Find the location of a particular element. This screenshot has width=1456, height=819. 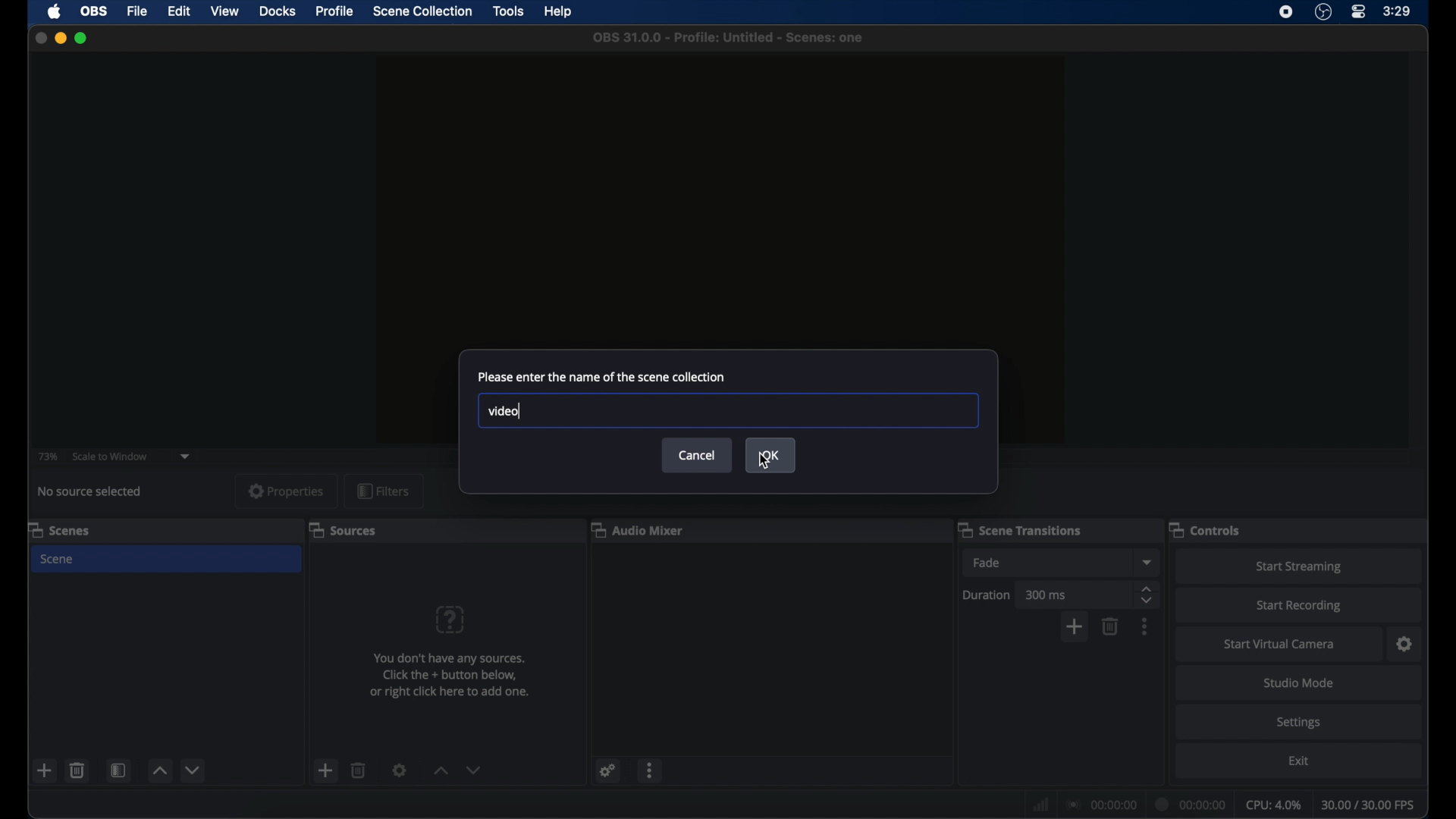

start virtual camera is located at coordinates (1278, 645).